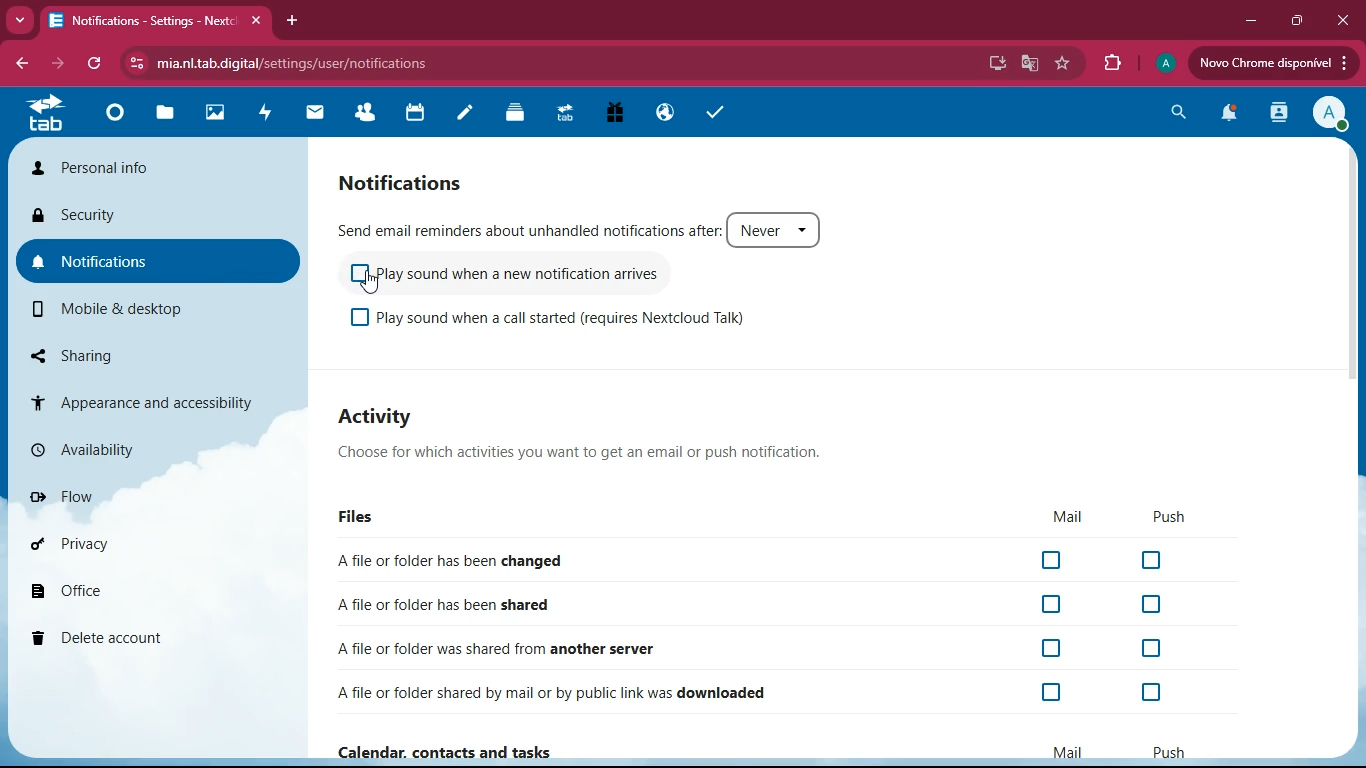  What do you see at coordinates (1172, 114) in the screenshot?
I see `search` at bounding box center [1172, 114].